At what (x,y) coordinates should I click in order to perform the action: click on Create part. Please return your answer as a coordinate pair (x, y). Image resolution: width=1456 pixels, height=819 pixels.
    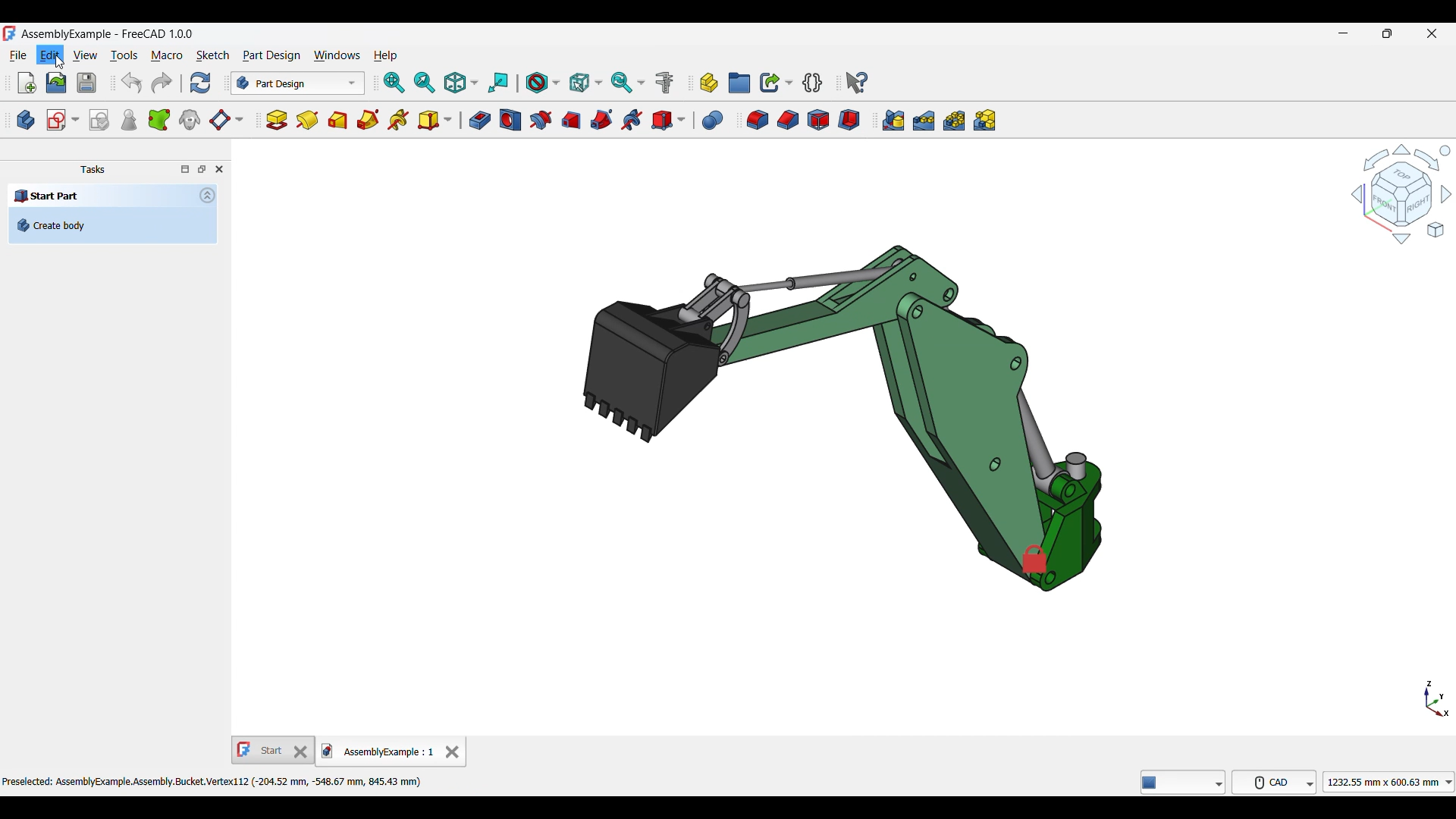
    Looking at the image, I should click on (709, 83).